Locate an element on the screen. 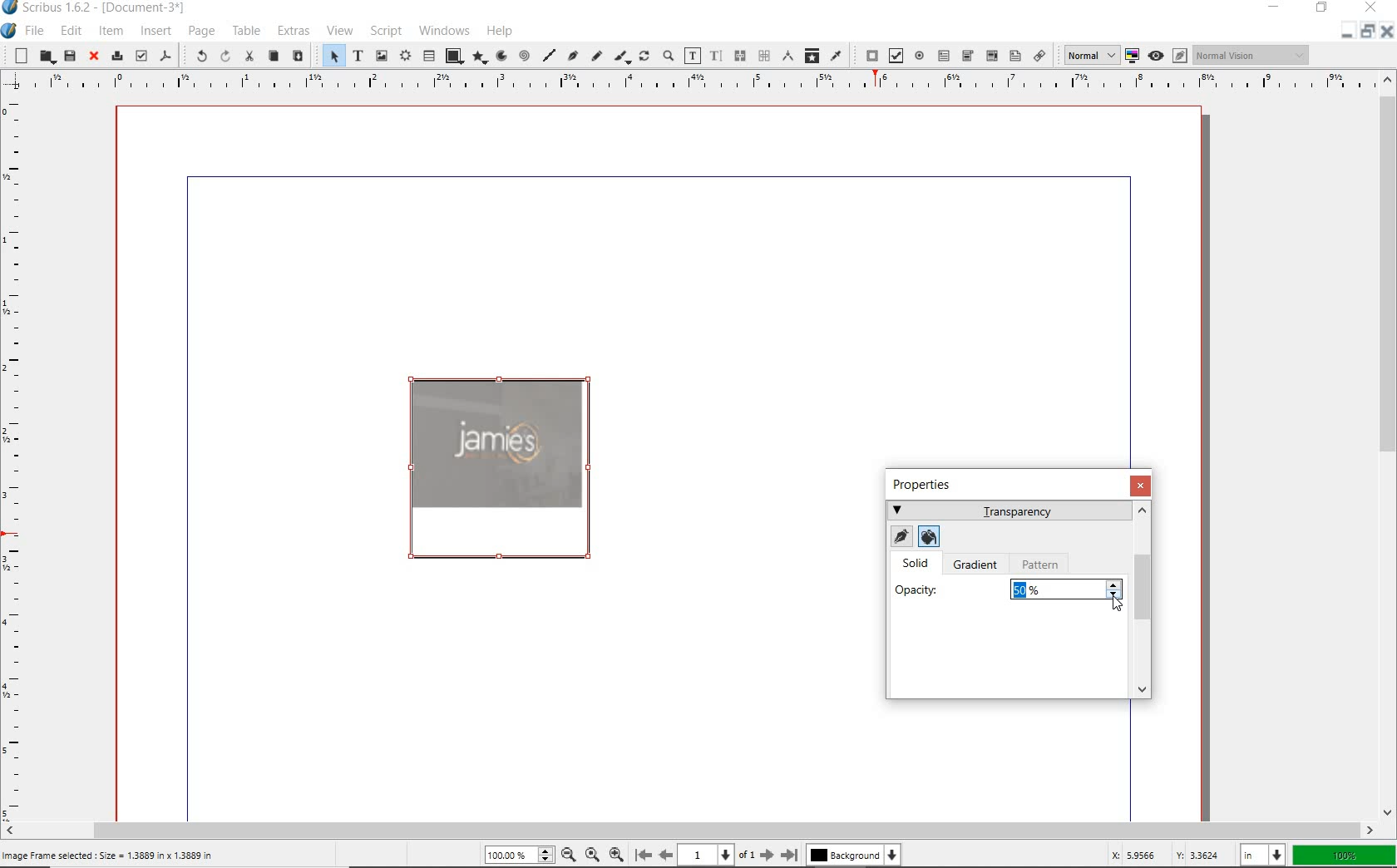 Image resolution: width=1397 pixels, height=868 pixels. measurements is located at coordinates (785, 56).